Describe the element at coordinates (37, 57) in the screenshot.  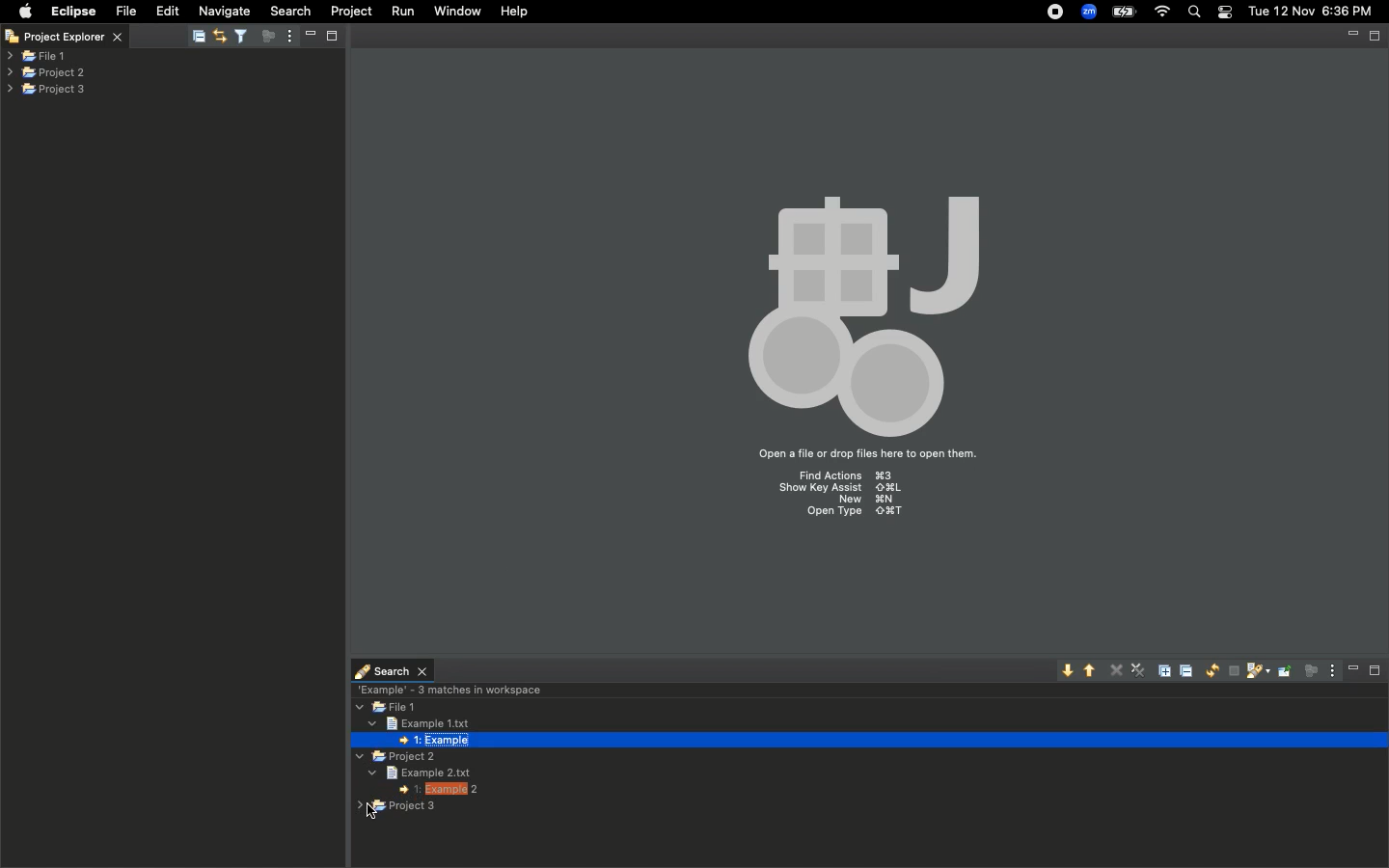
I see `File 1` at that location.